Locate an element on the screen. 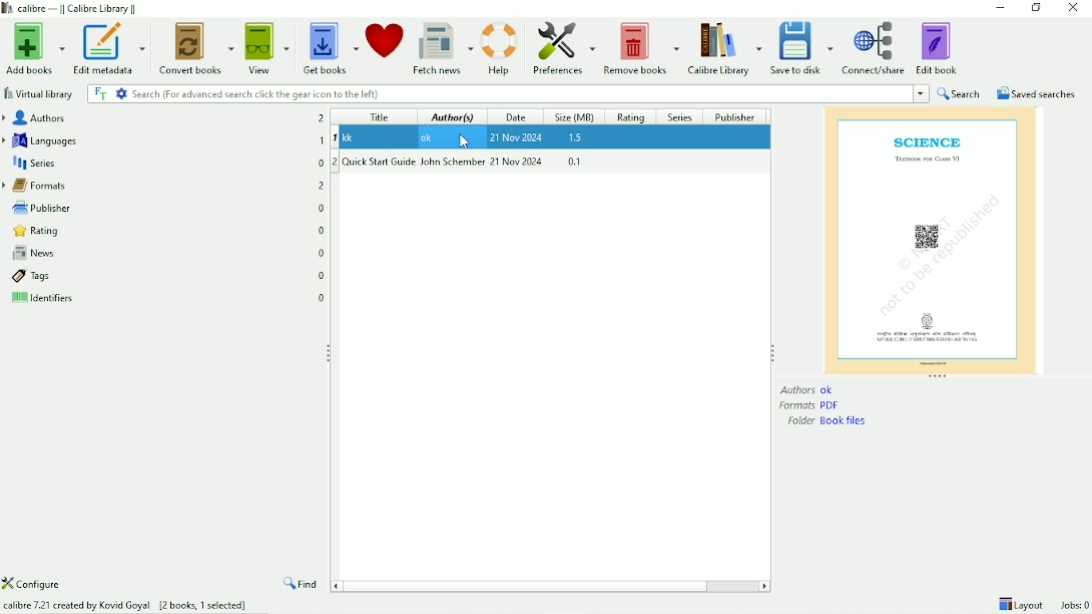 The image size is (1092, 614). Formats is located at coordinates (810, 406).